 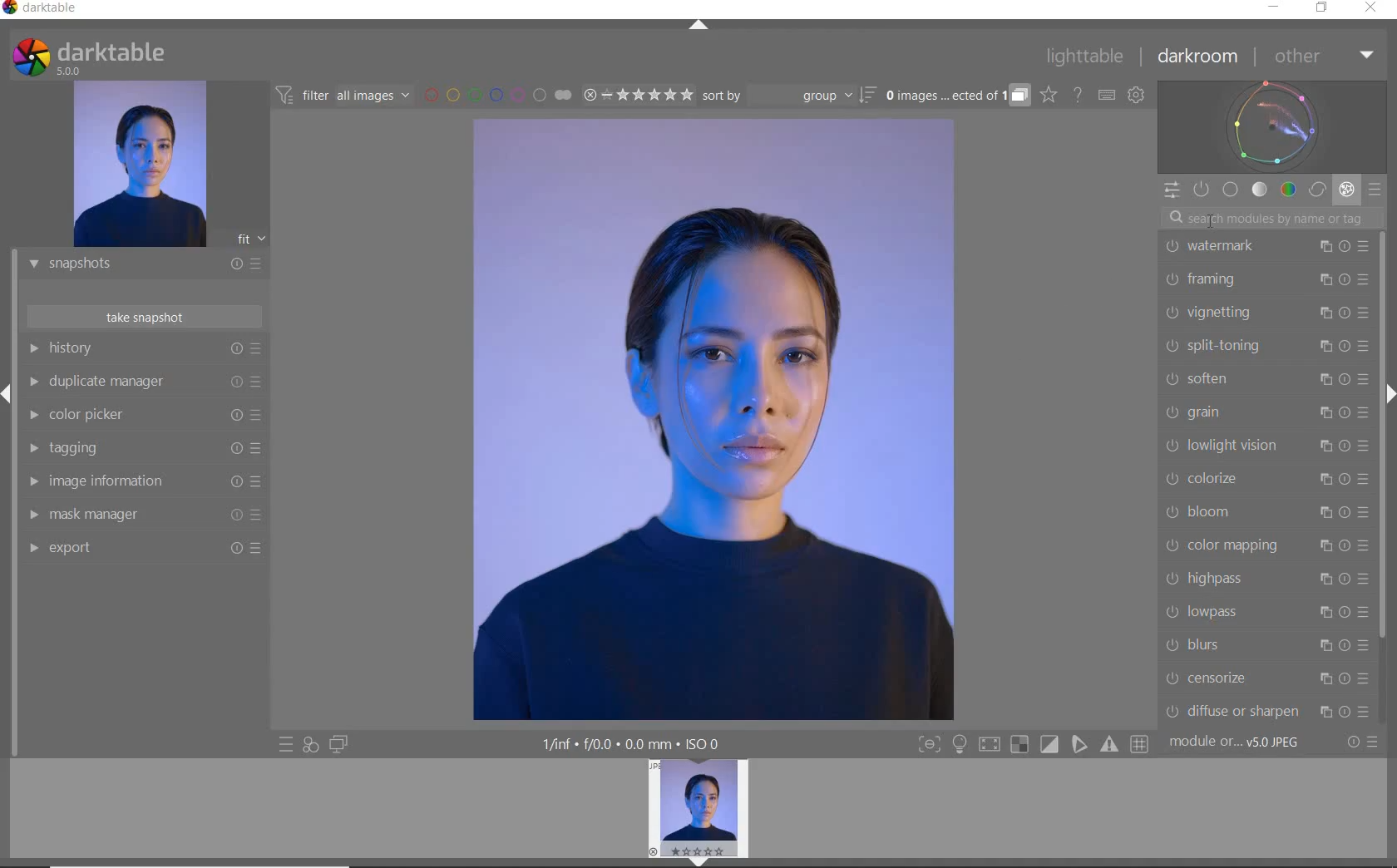 What do you see at coordinates (1265, 345) in the screenshot?
I see `SPLIT-TONING` at bounding box center [1265, 345].